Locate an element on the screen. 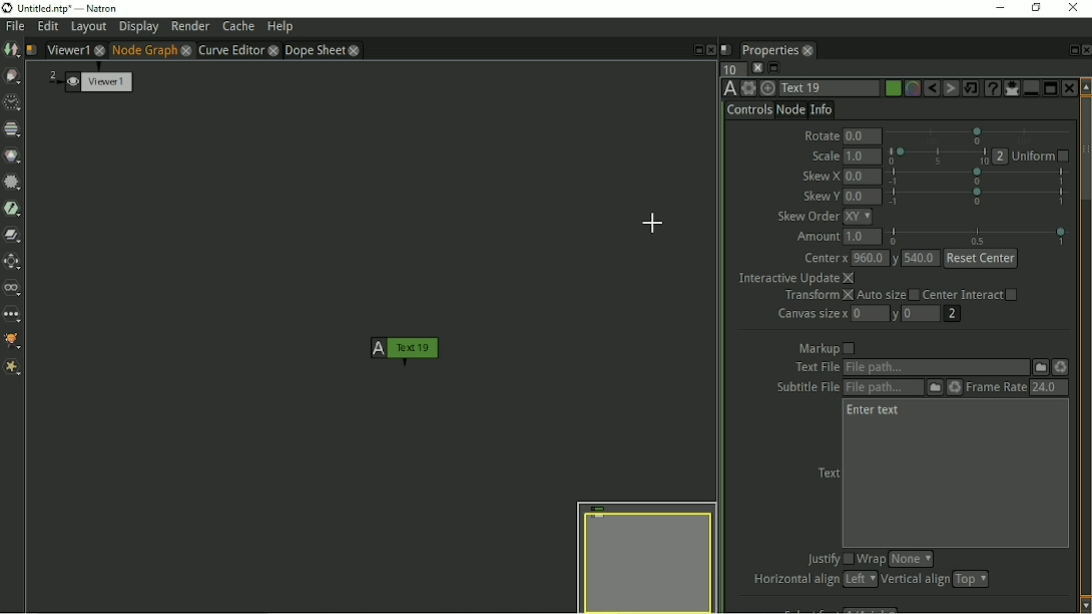  reset center is located at coordinates (981, 257).